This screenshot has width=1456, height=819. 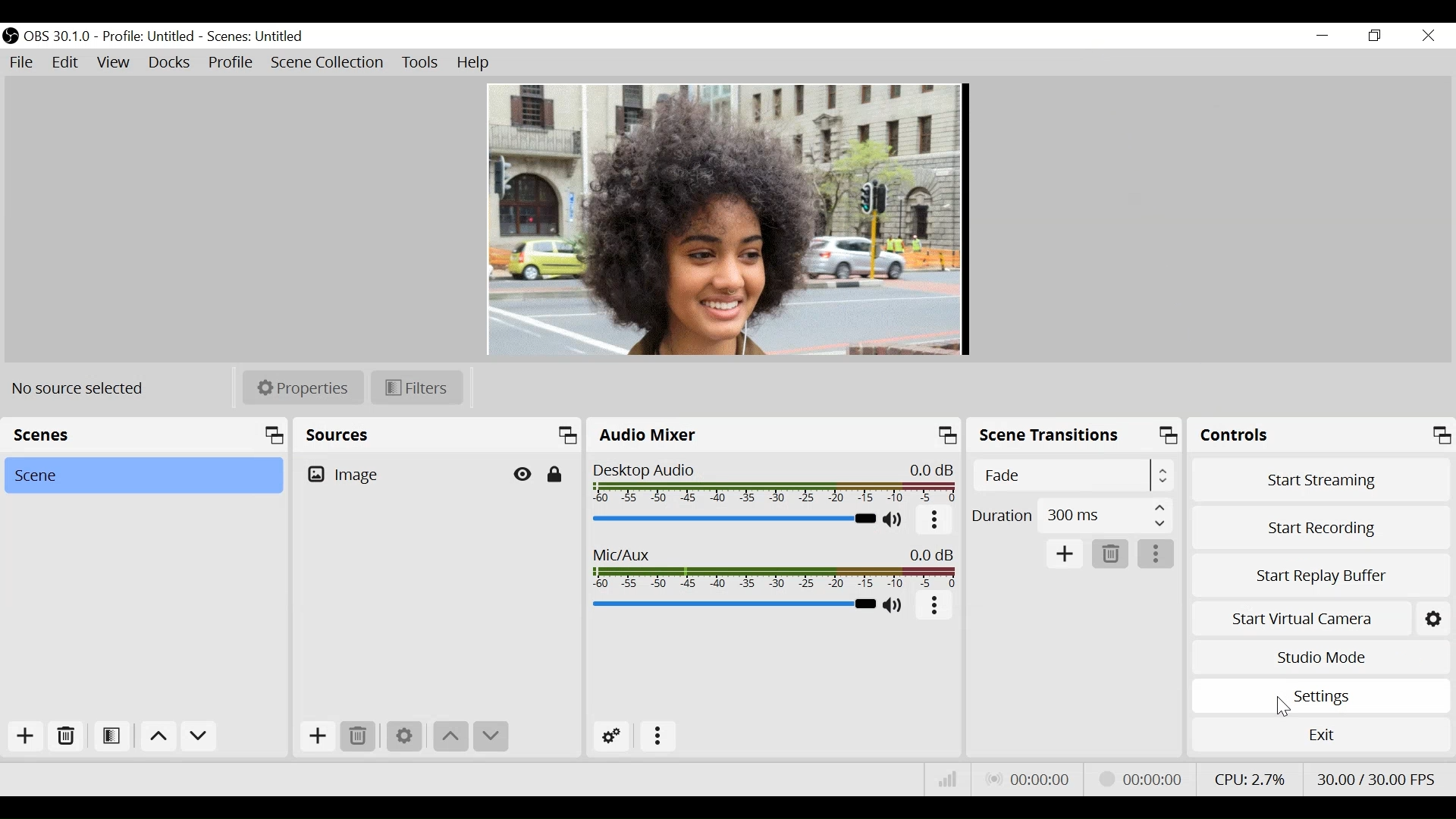 What do you see at coordinates (1029, 780) in the screenshot?
I see `00:00:00` at bounding box center [1029, 780].